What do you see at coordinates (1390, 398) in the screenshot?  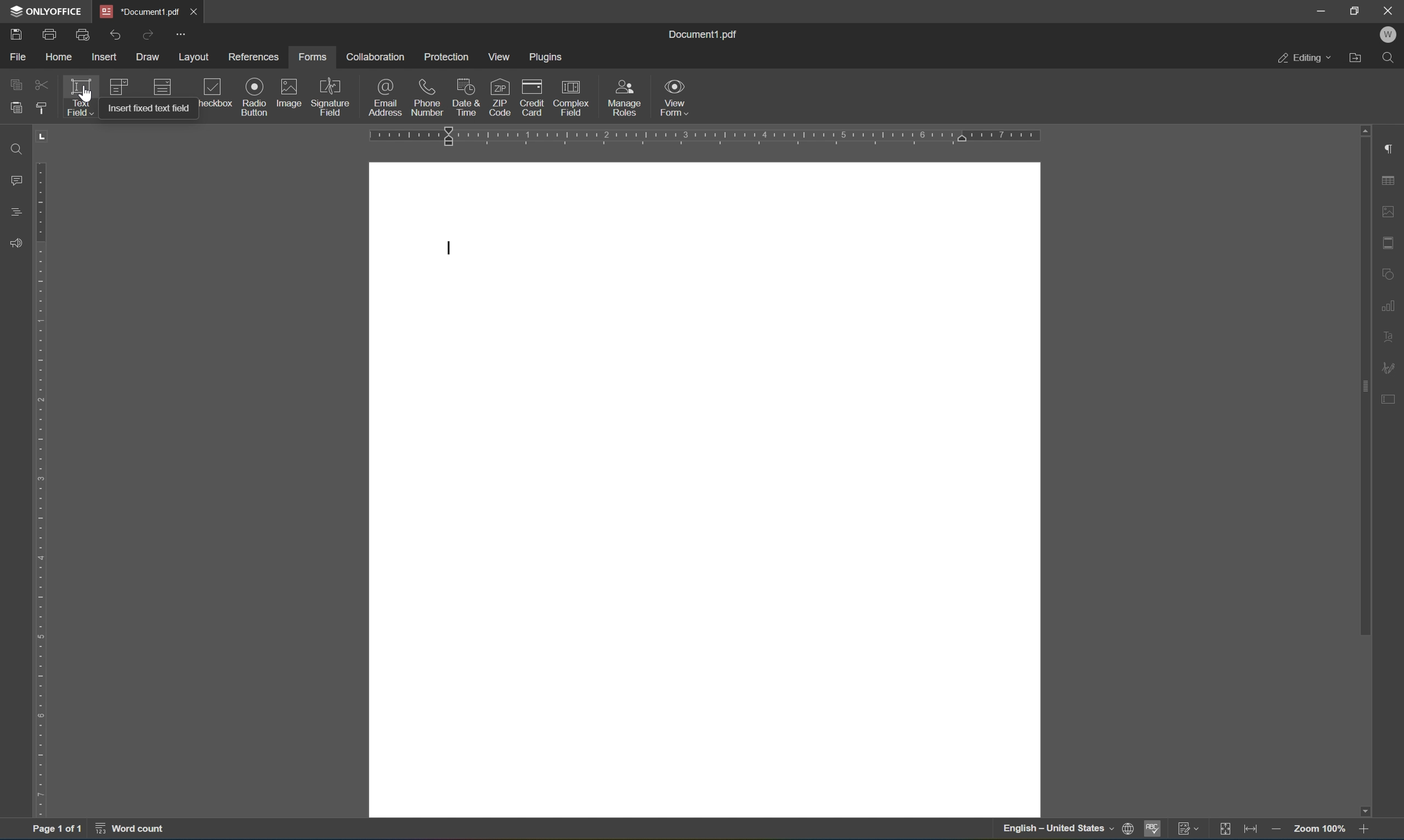 I see `form settings` at bounding box center [1390, 398].